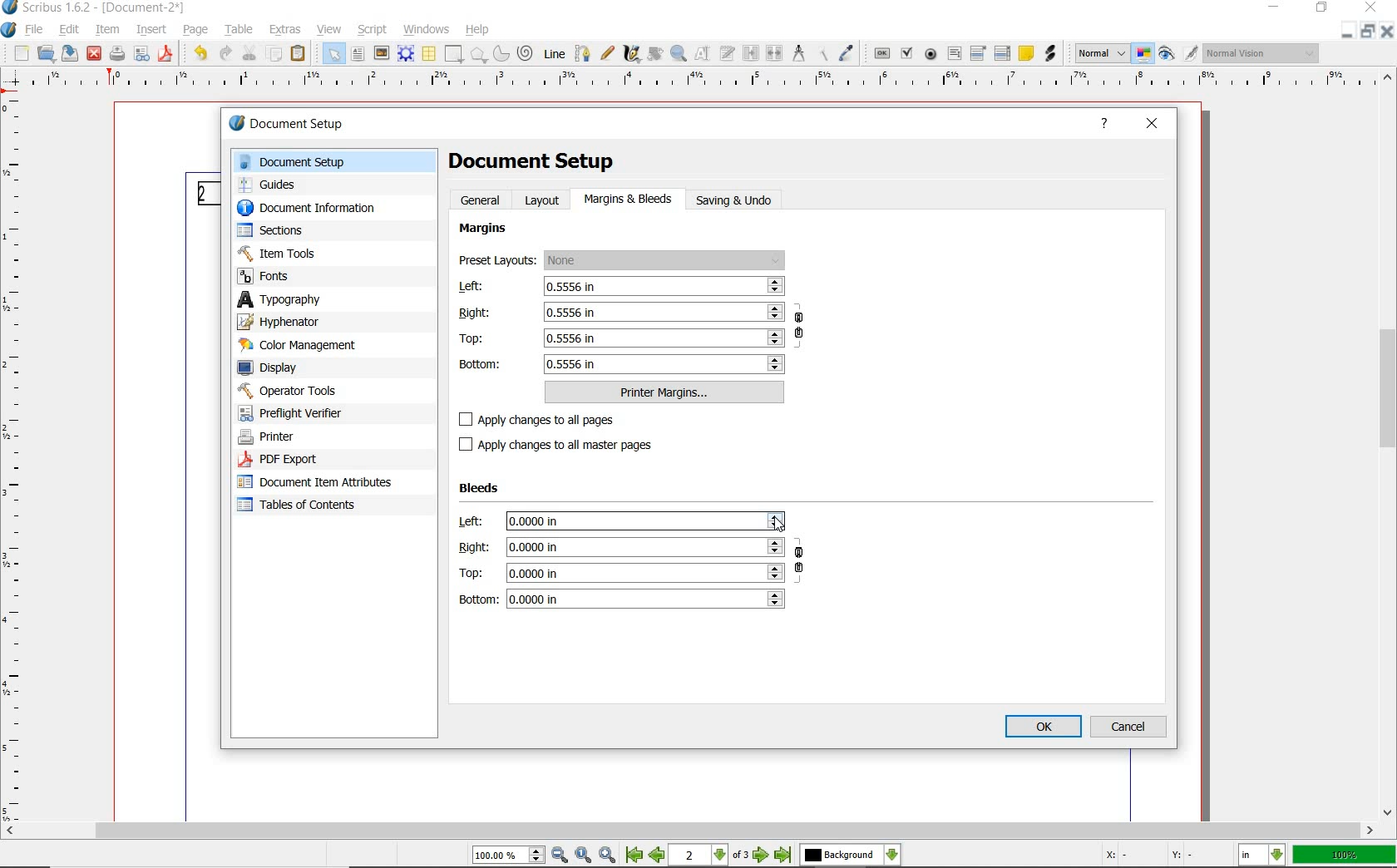 This screenshot has height=868, width=1397. Describe the element at coordinates (1389, 34) in the screenshot. I see `Close` at that location.